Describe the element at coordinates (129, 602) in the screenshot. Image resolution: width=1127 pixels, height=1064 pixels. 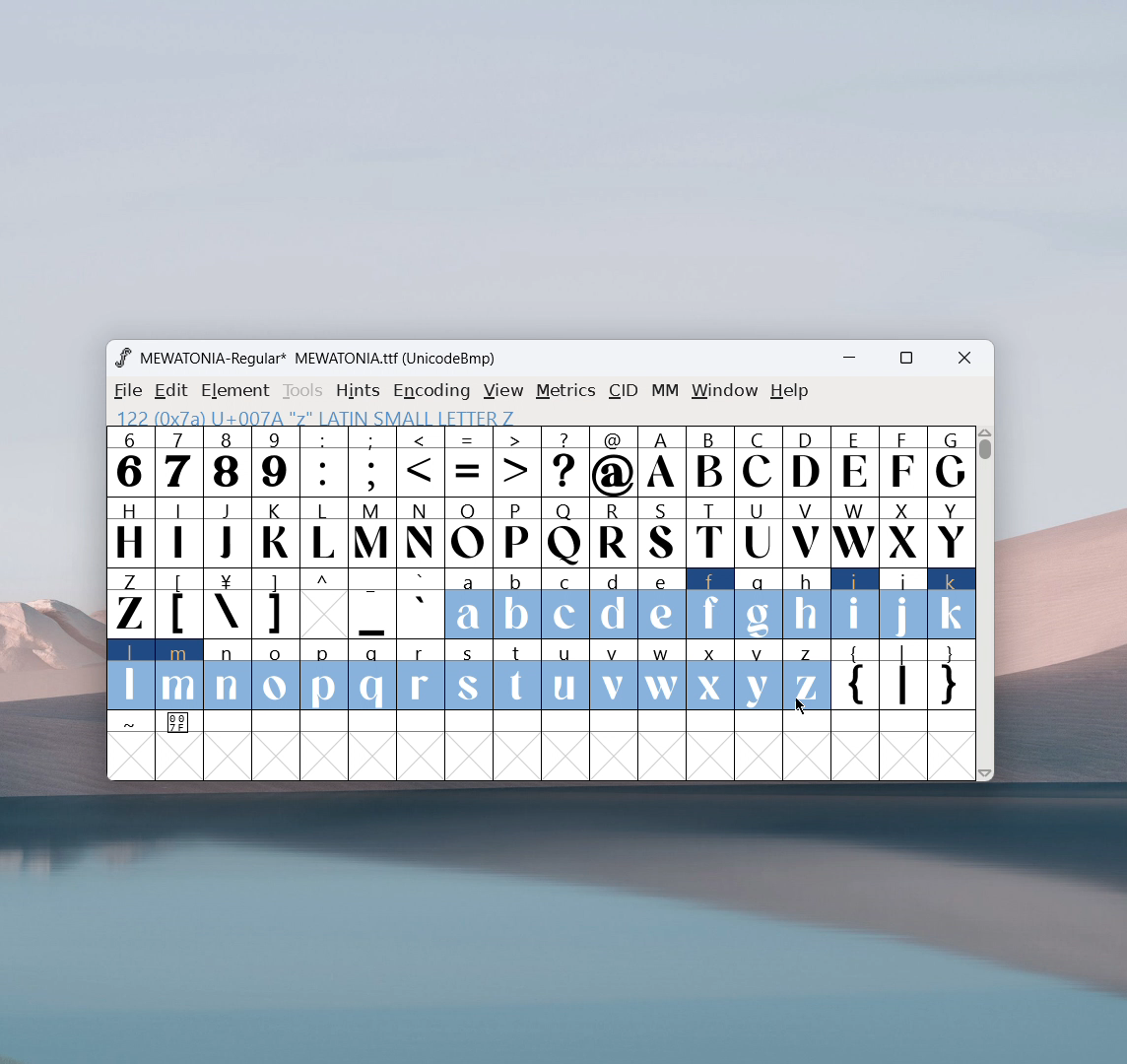
I see `Z` at that location.